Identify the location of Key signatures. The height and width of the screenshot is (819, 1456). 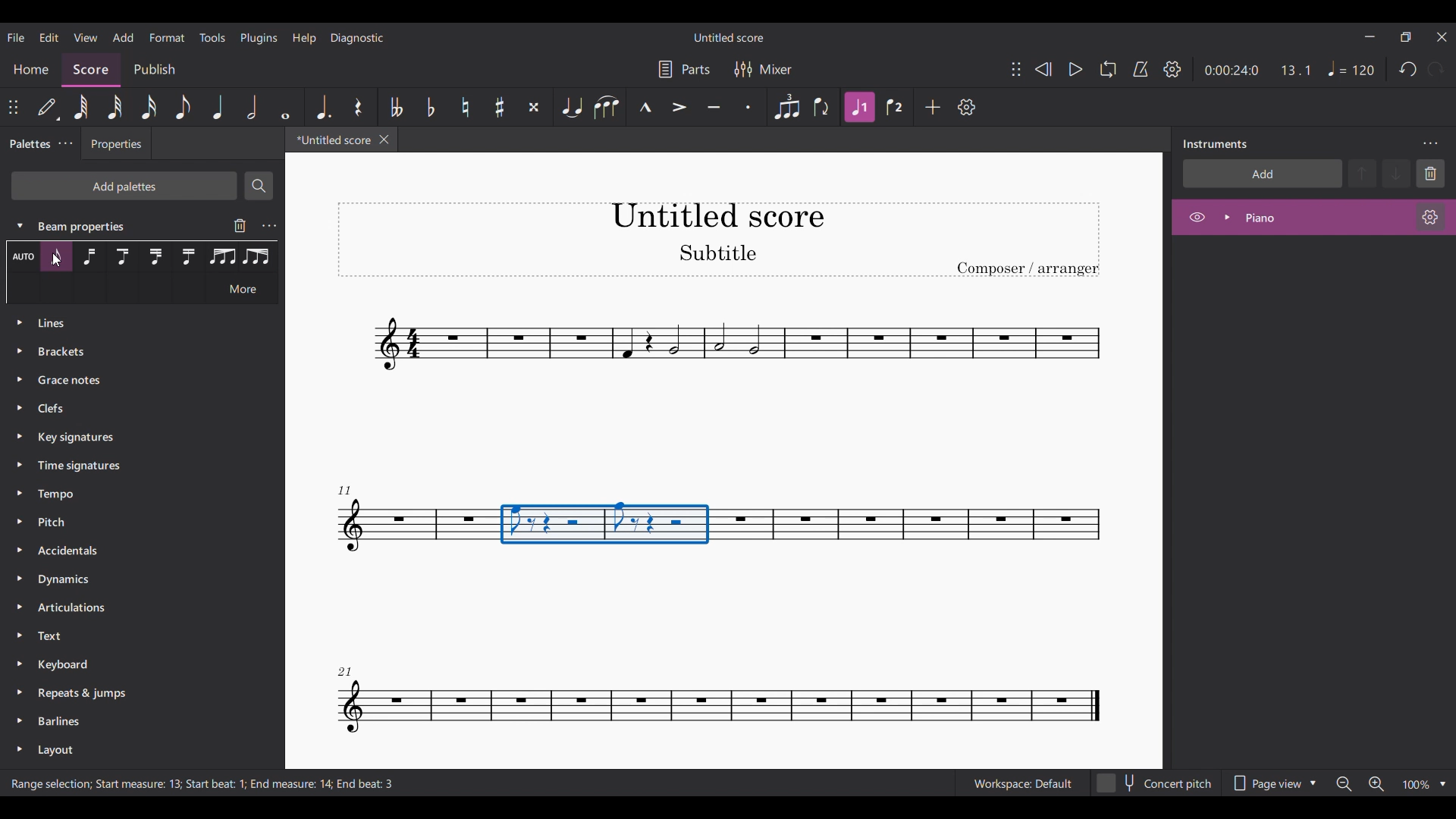
(138, 438).